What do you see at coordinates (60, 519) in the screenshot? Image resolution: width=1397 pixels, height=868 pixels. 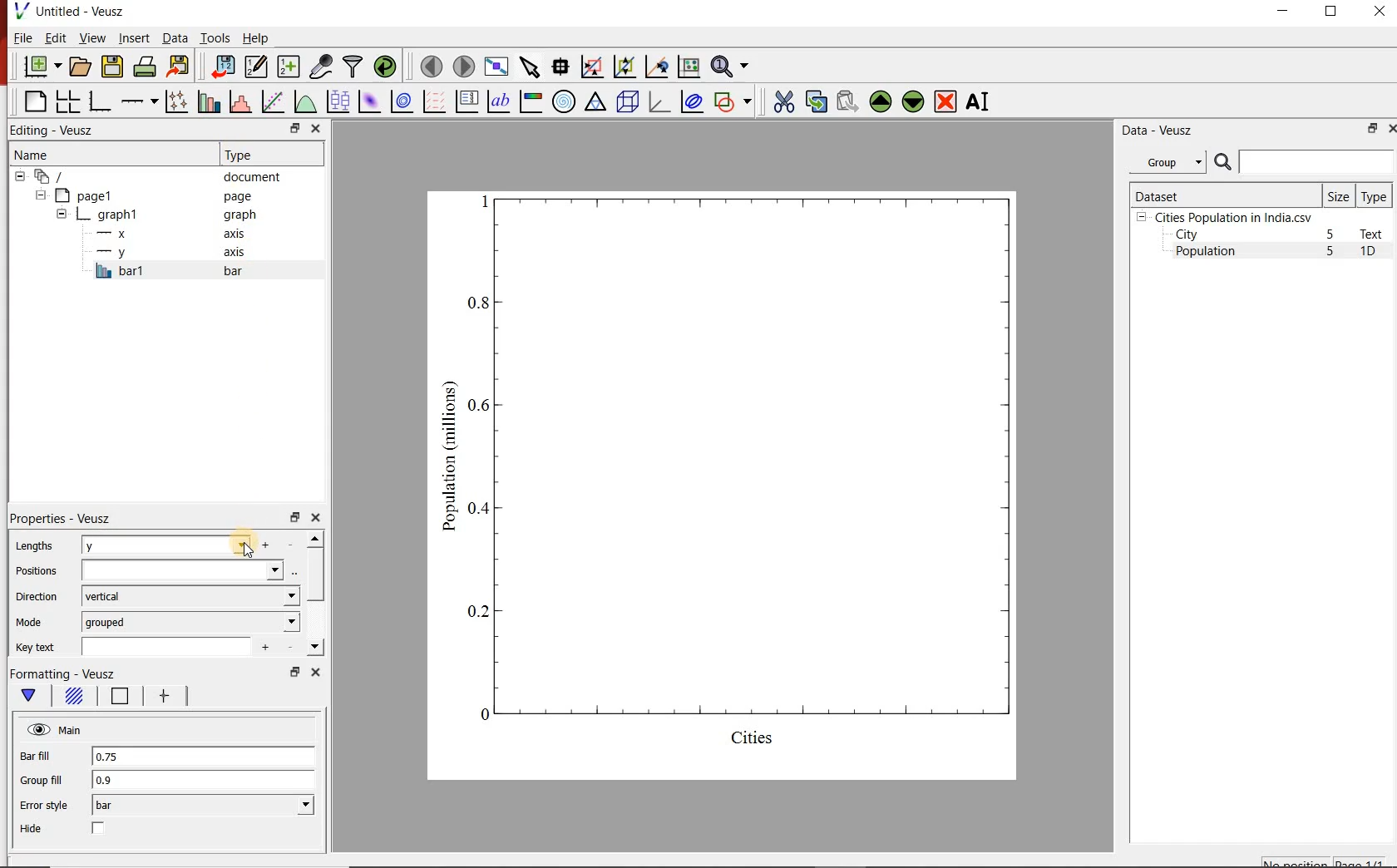 I see `Properties - Veusz` at bounding box center [60, 519].